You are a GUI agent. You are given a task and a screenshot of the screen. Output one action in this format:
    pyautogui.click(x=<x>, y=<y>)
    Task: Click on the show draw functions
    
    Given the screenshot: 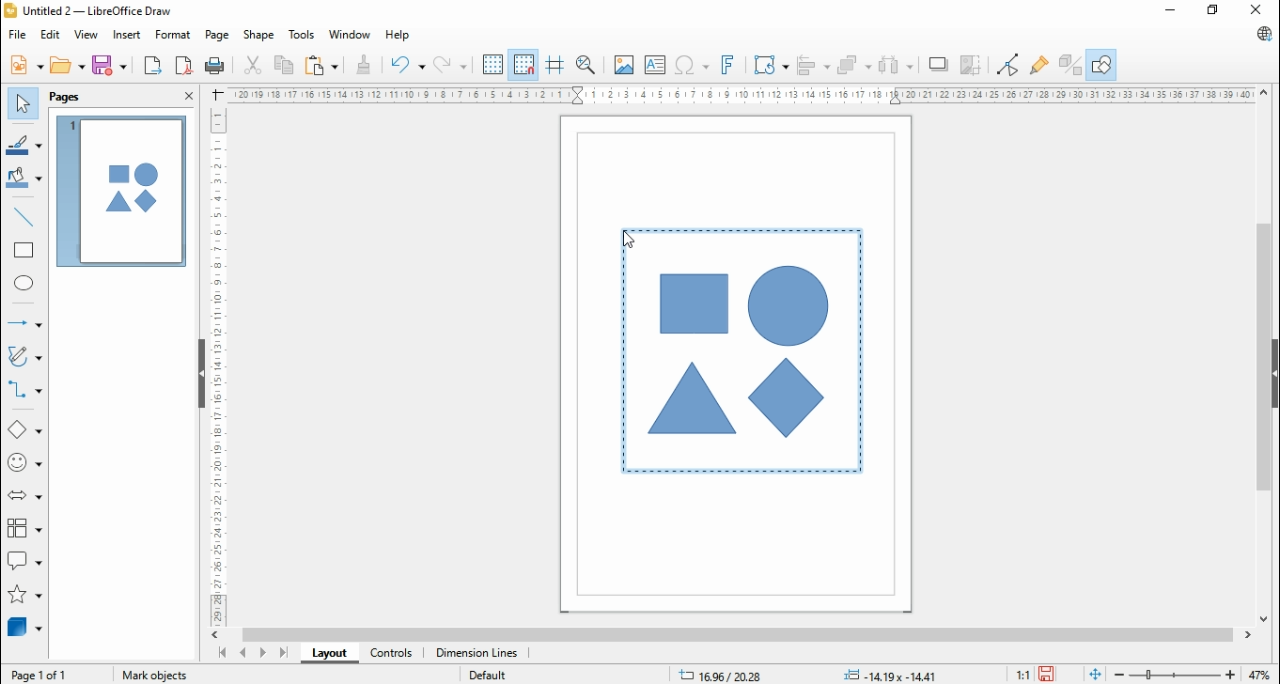 What is the action you would take?
    pyautogui.click(x=1104, y=62)
    